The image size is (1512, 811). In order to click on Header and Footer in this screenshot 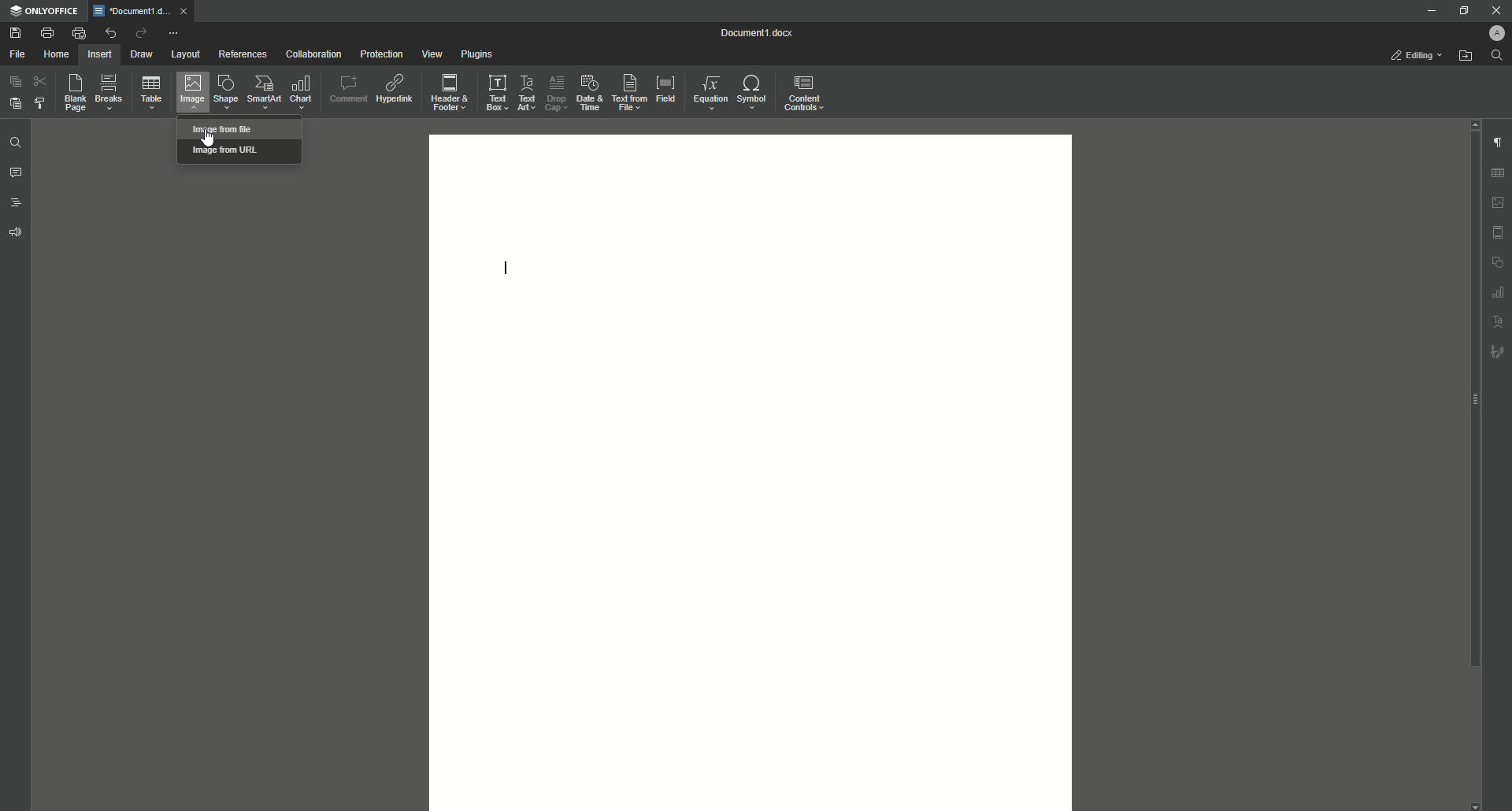, I will do `click(446, 93)`.